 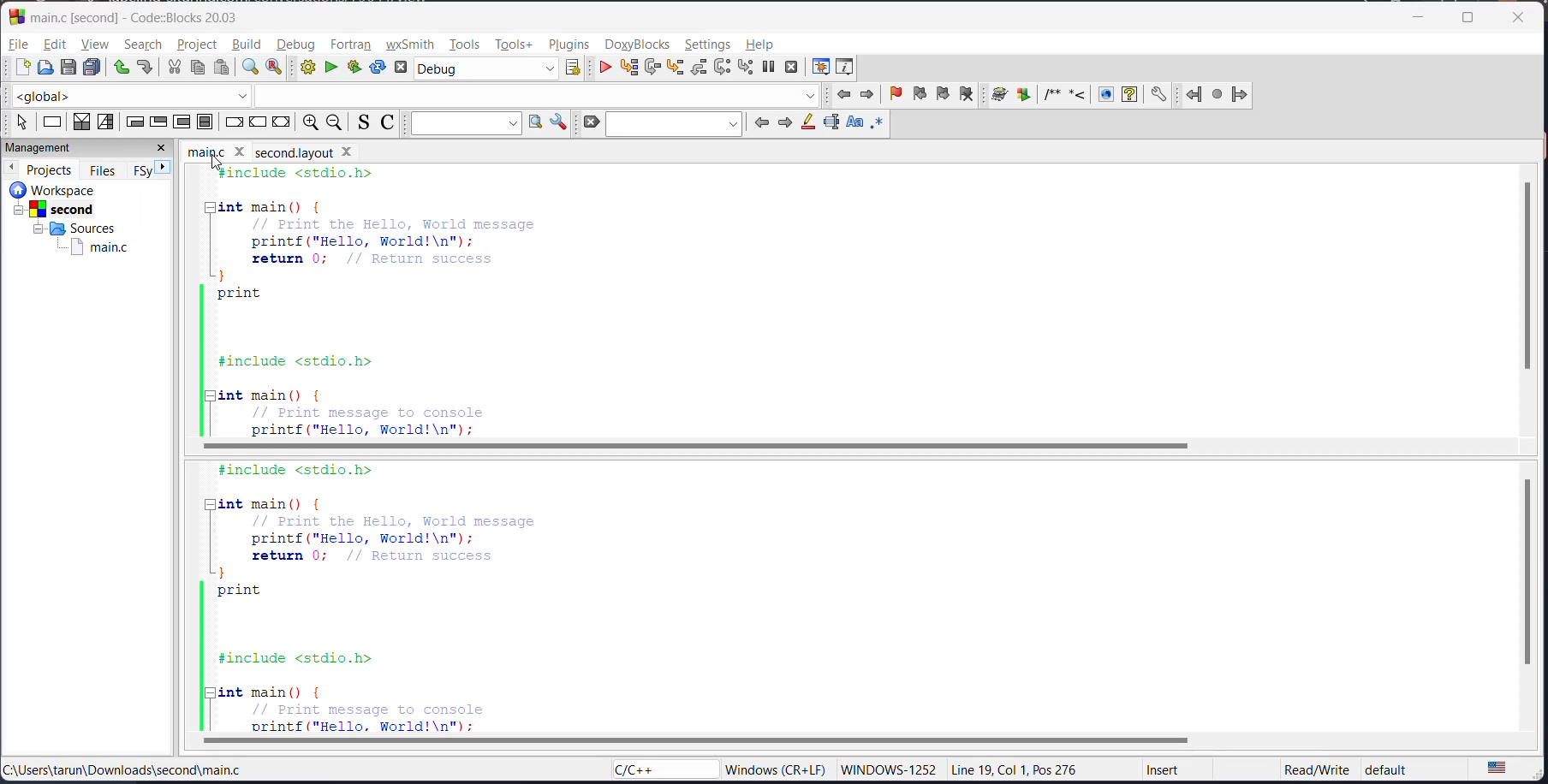 What do you see at coordinates (854, 122) in the screenshot?
I see `match case` at bounding box center [854, 122].